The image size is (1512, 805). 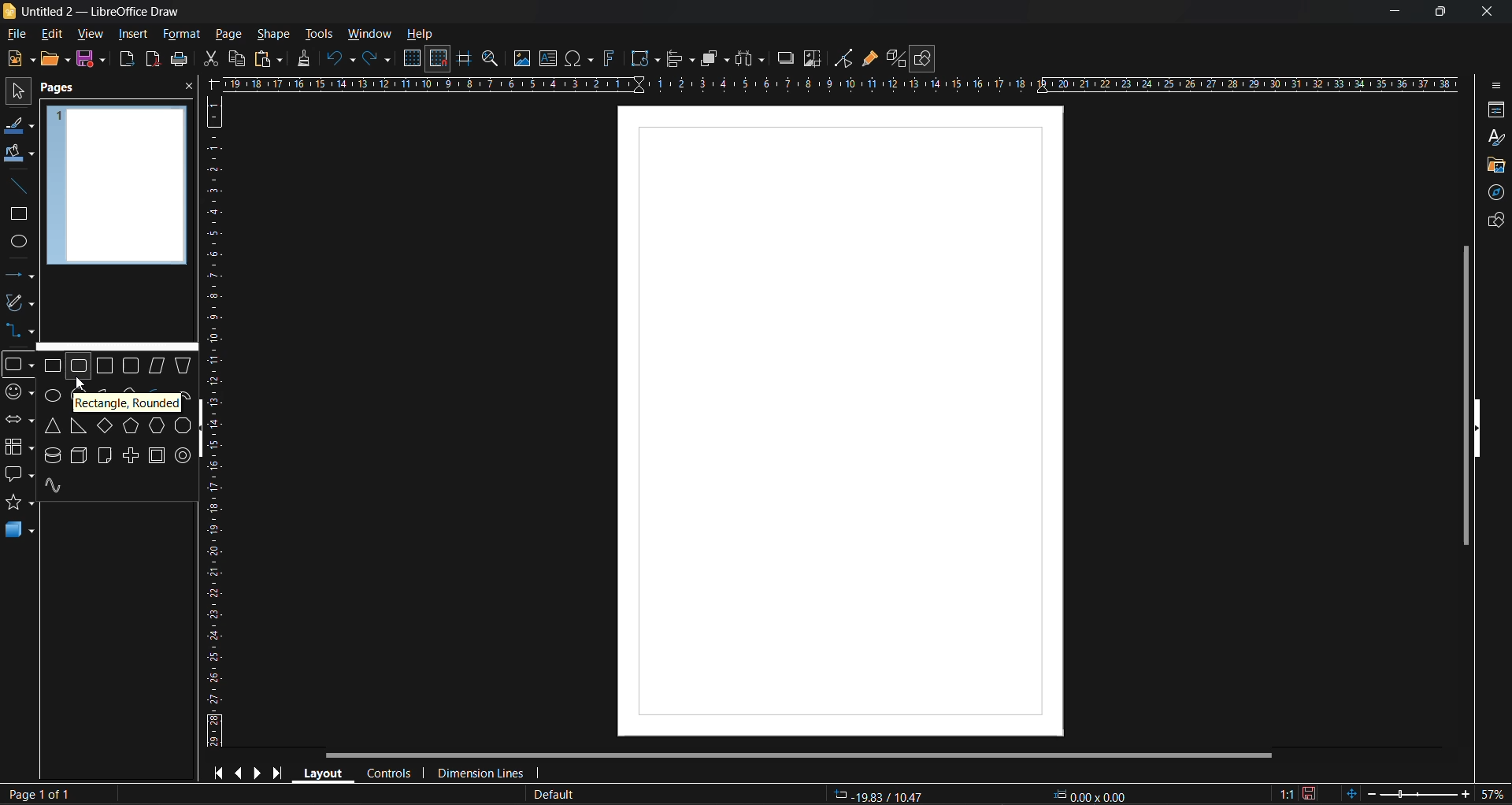 What do you see at coordinates (1416, 793) in the screenshot?
I see `zoom slider` at bounding box center [1416, 793].